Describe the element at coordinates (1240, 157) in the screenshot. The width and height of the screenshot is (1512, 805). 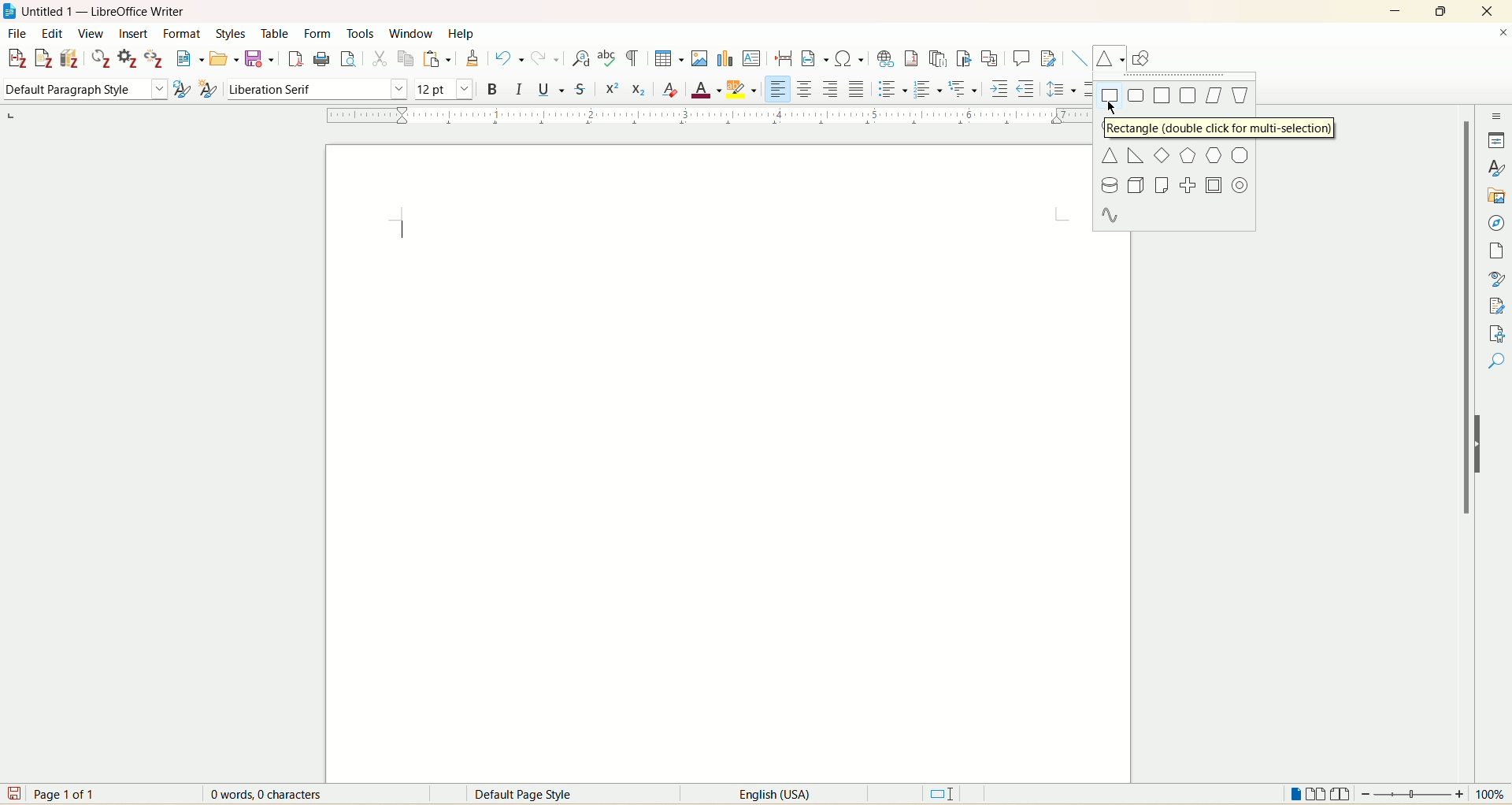
I see `octagon` at that location.